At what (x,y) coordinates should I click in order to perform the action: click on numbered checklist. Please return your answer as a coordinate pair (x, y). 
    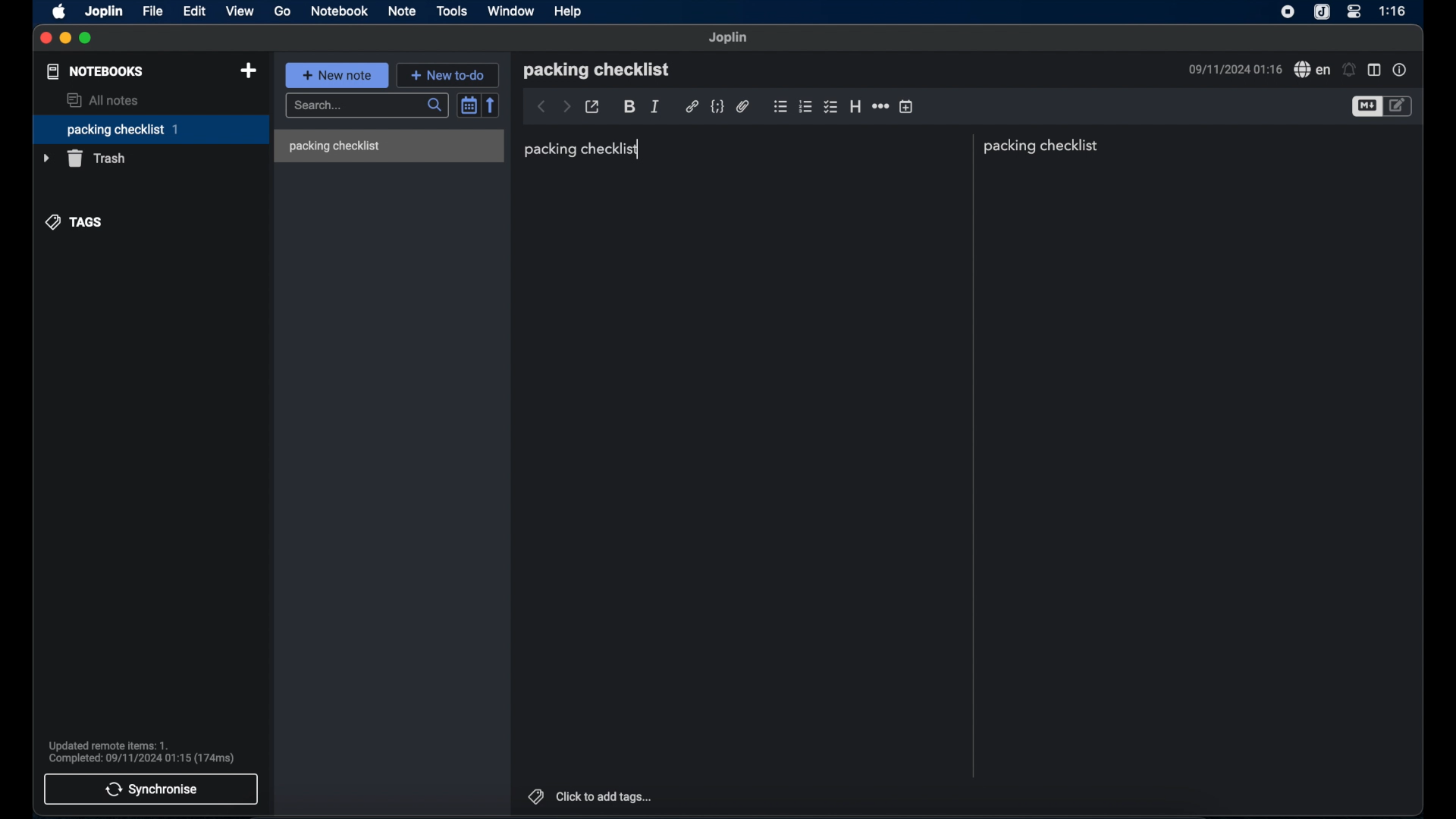
    Looking at the image, I should click on (806, 108).